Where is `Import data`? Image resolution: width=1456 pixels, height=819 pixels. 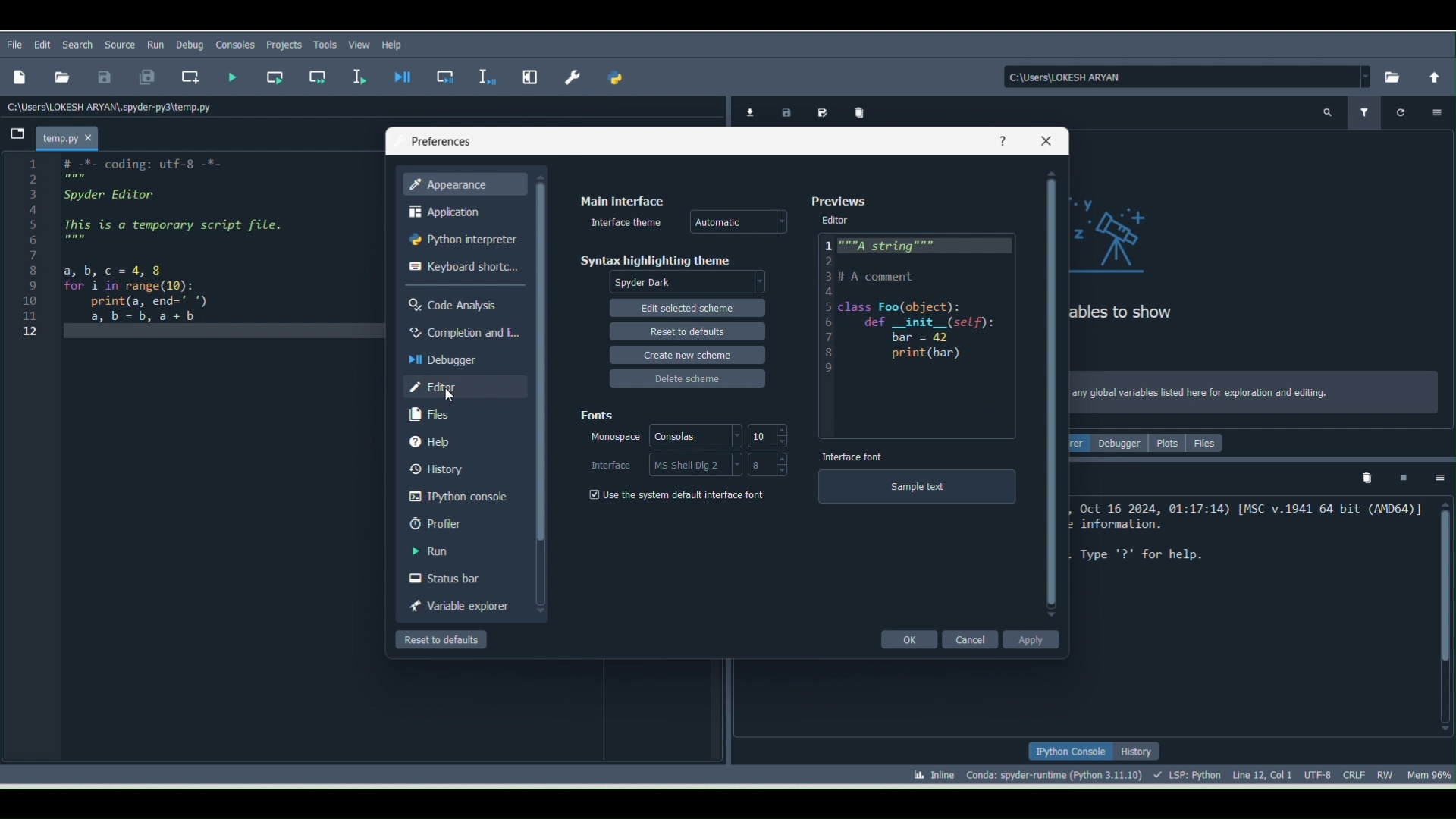
Import data is located at coordinates (747, 111).